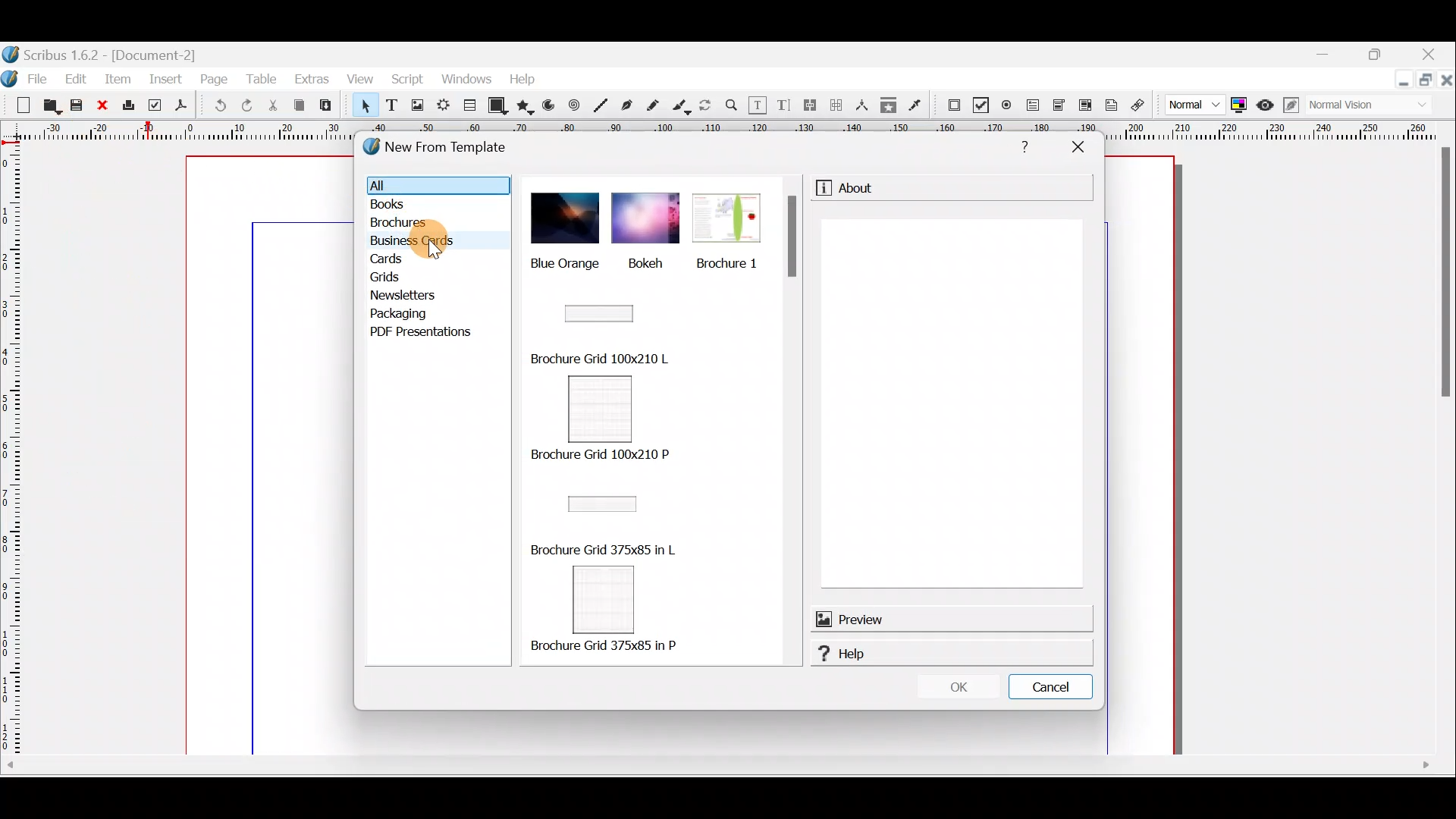  What do you see at coordinates (549, 107) in the screenshot?
I see `Arc` at bounding box center [549, 107].